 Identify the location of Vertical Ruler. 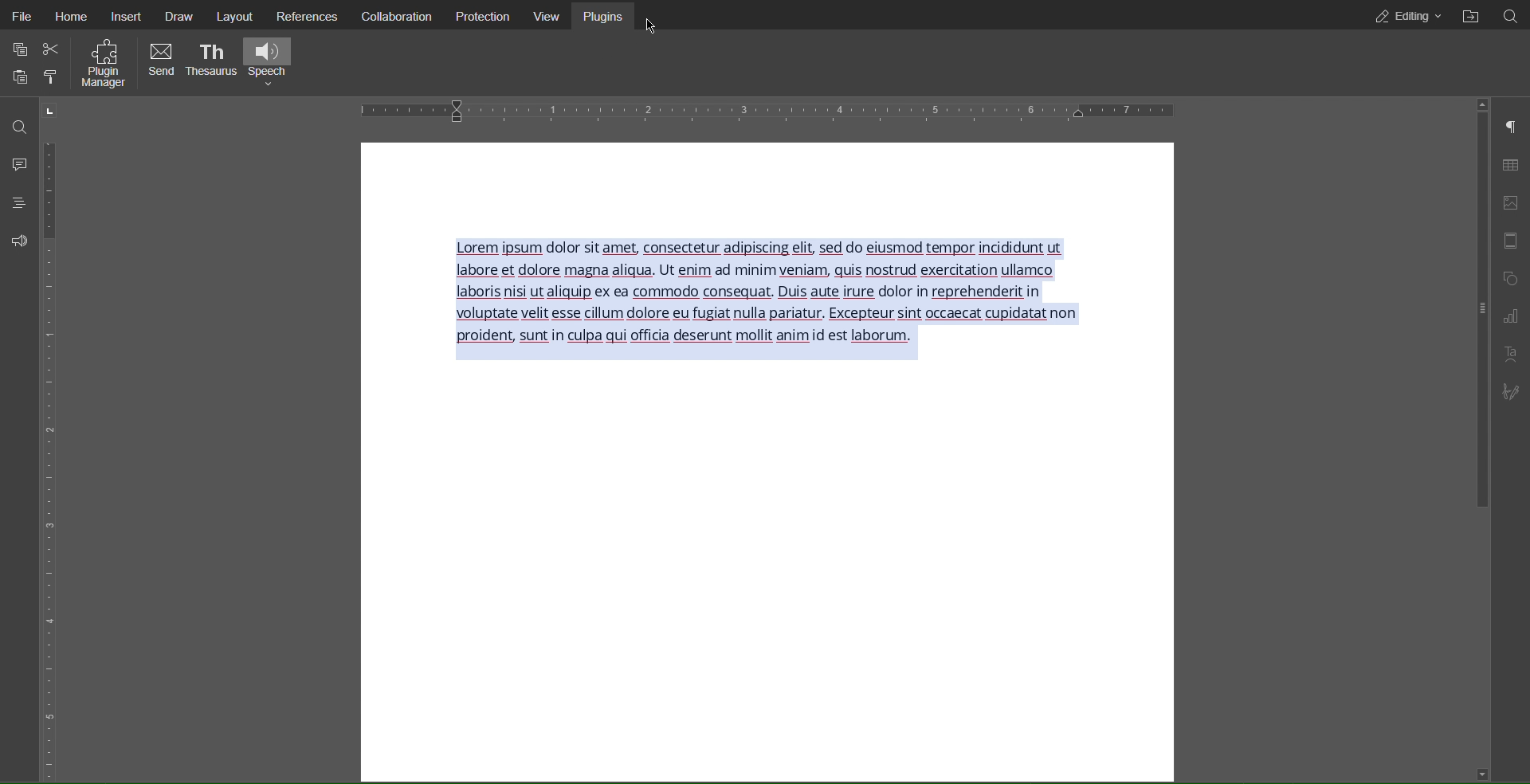
(51, 455).